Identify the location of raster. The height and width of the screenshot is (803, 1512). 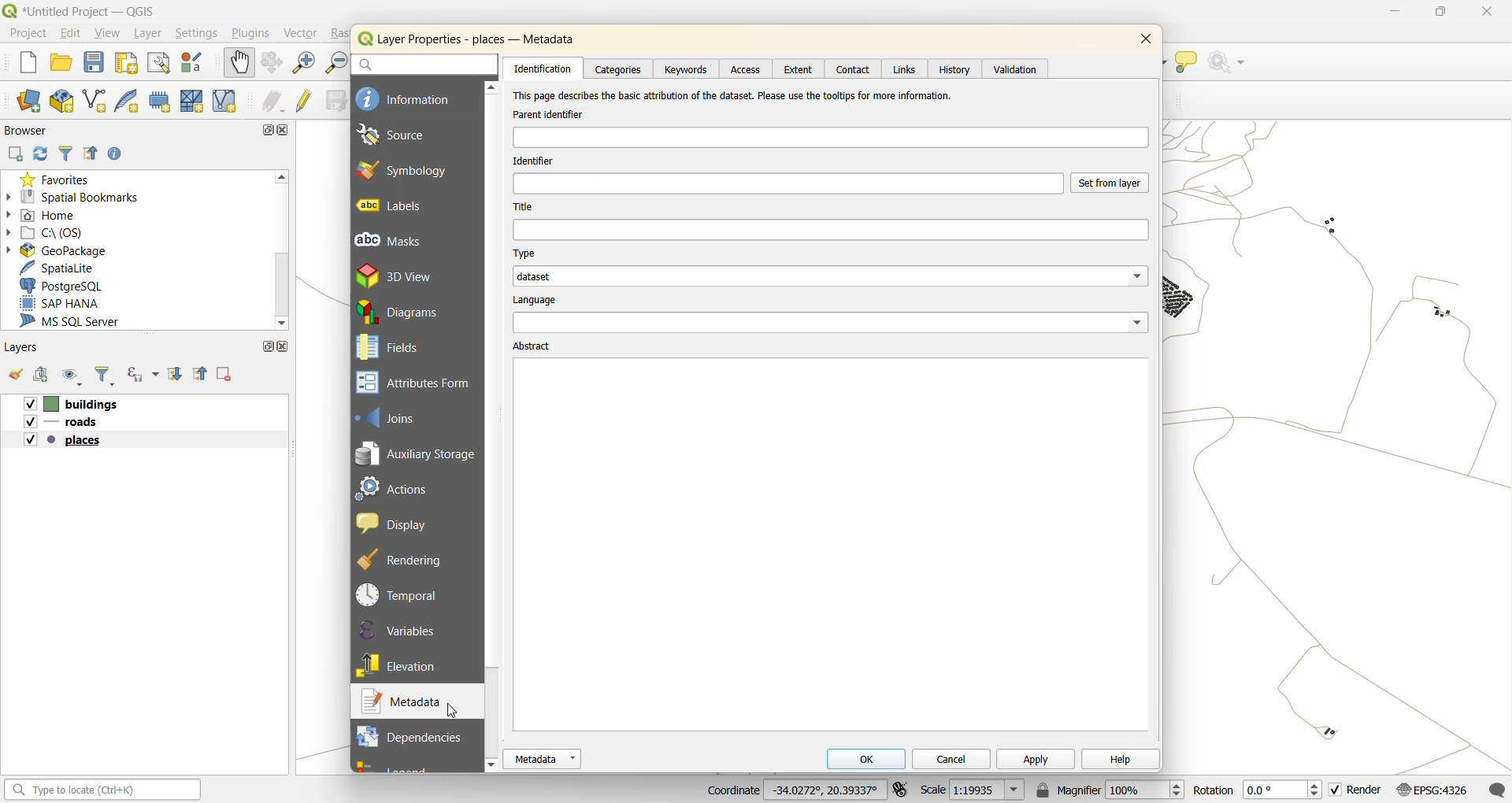
(341, 33).